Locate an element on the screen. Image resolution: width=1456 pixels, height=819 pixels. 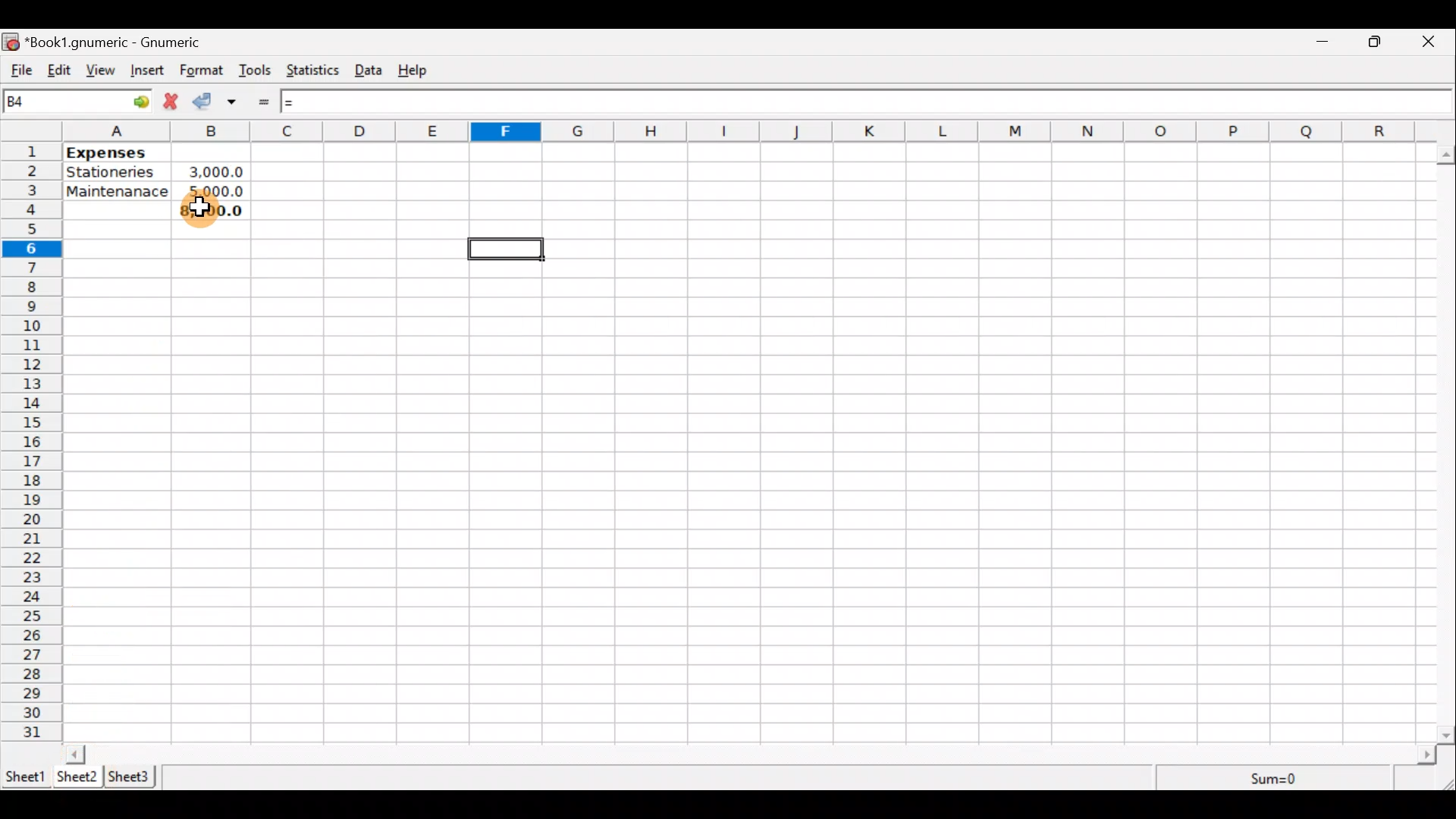
numbering column is located at coordinates (30, 444).